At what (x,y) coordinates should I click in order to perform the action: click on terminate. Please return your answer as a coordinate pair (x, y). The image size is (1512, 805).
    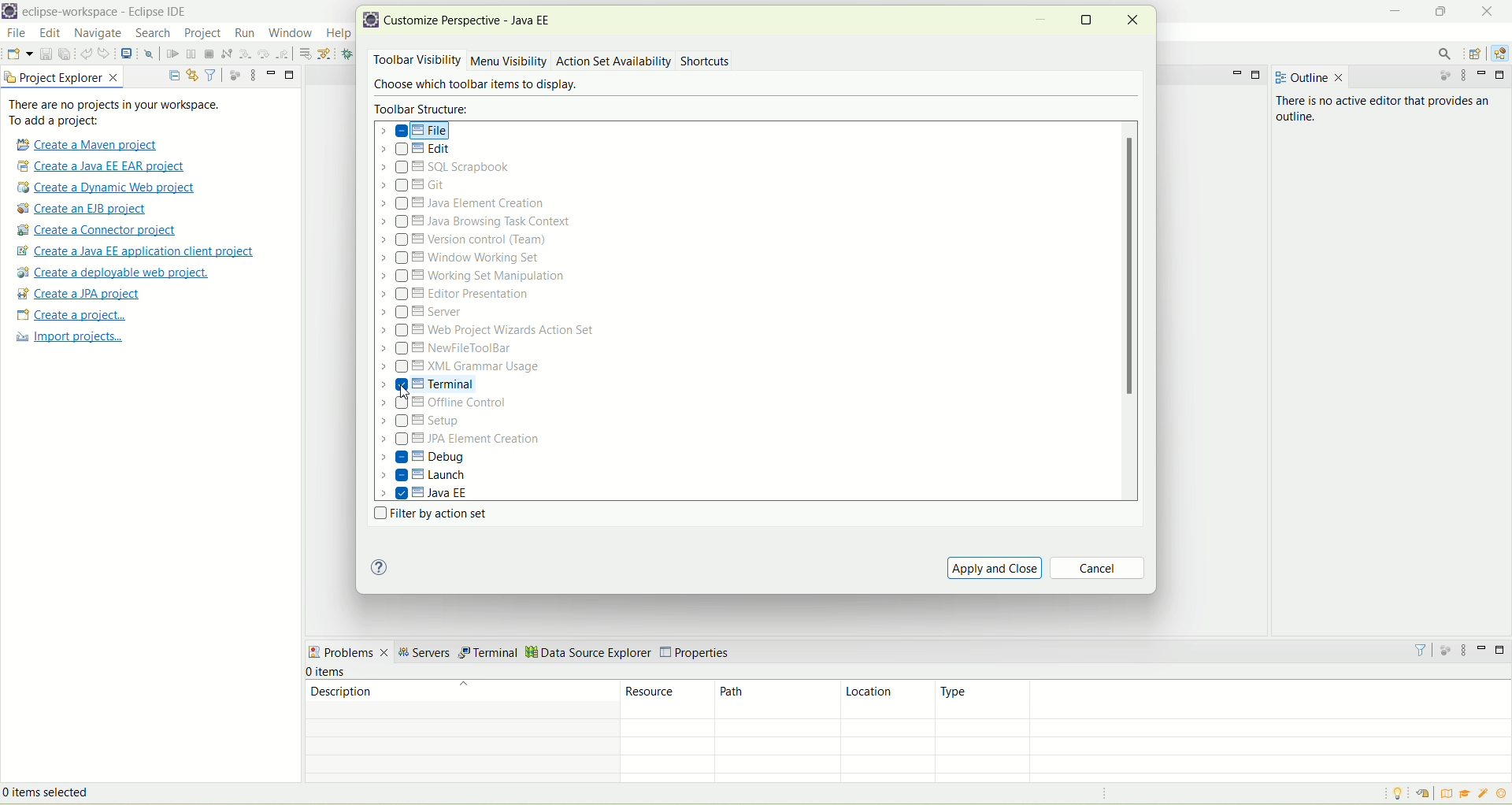
    Looking at the image, I should click on (209, 54).